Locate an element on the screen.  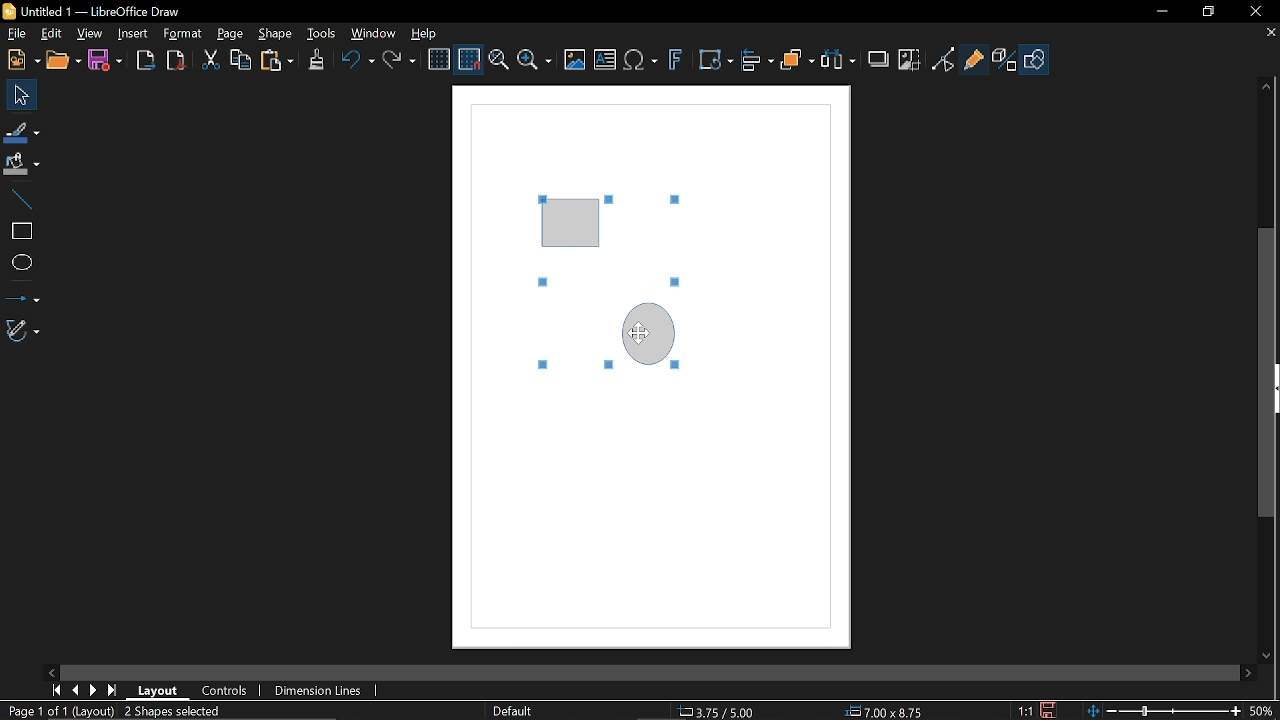
Save is located at coordinates (108, 61).